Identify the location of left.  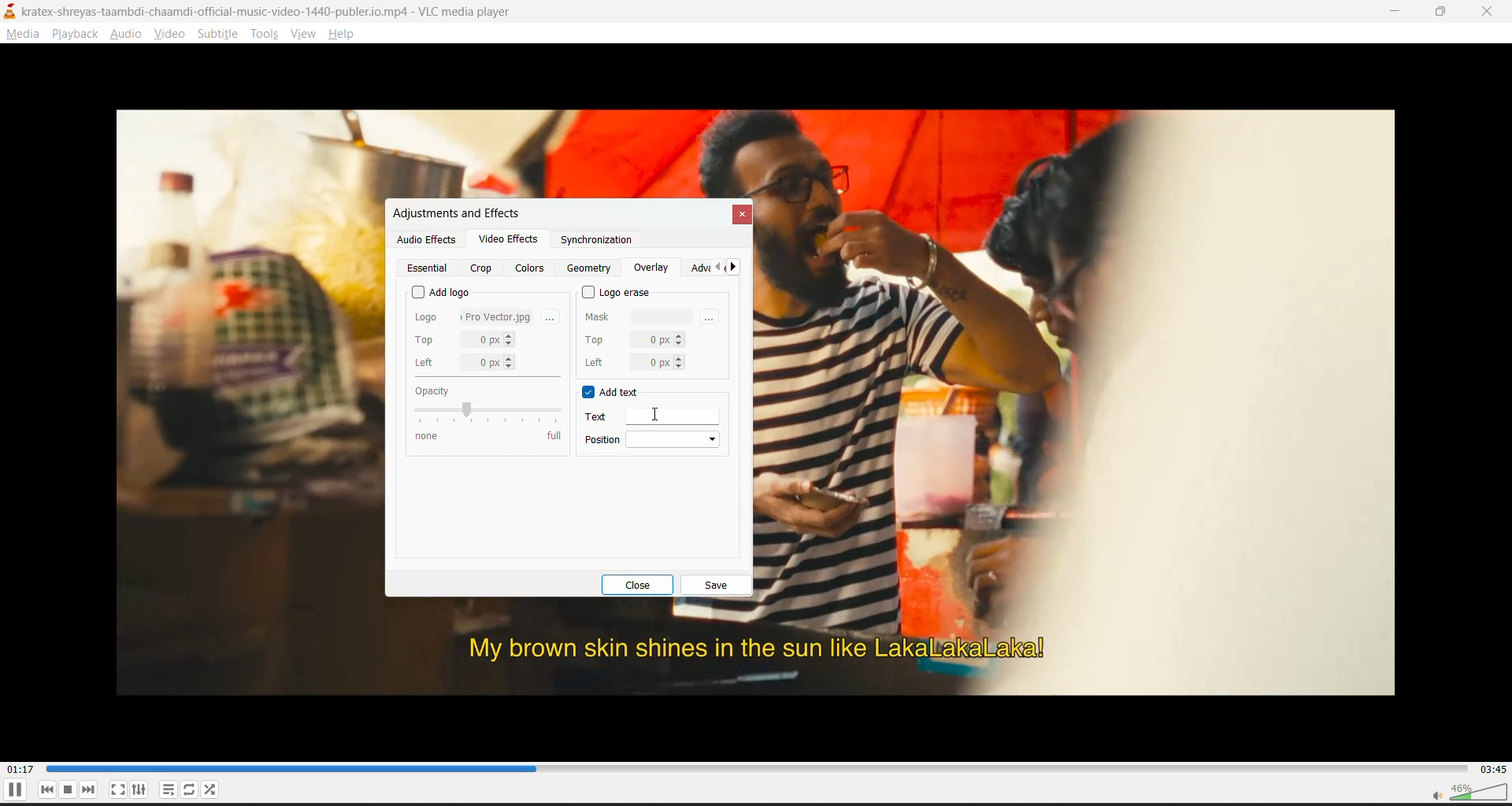
(466, 363).